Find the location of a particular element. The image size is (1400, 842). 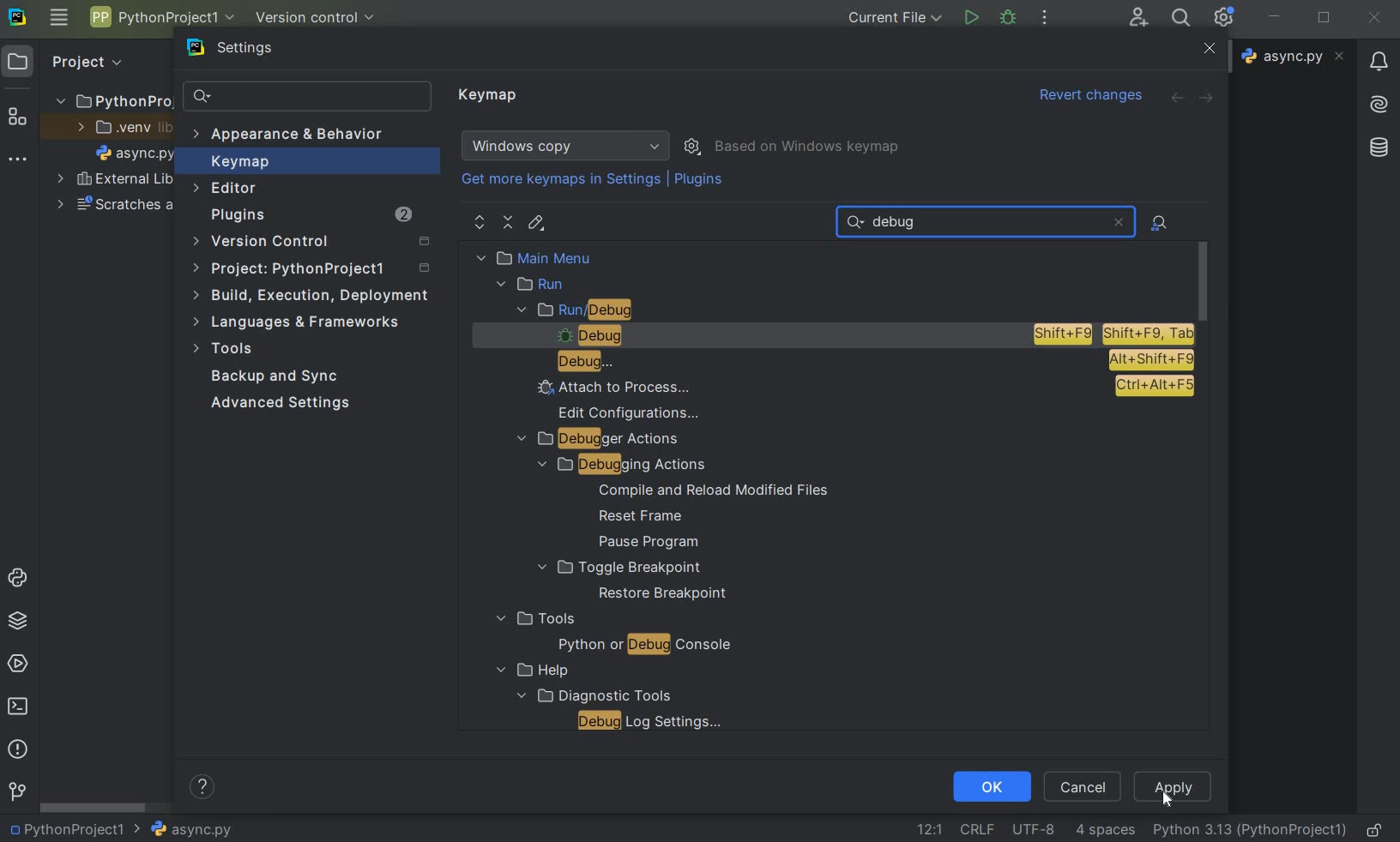

keymap is located at coordinates (238, 164).